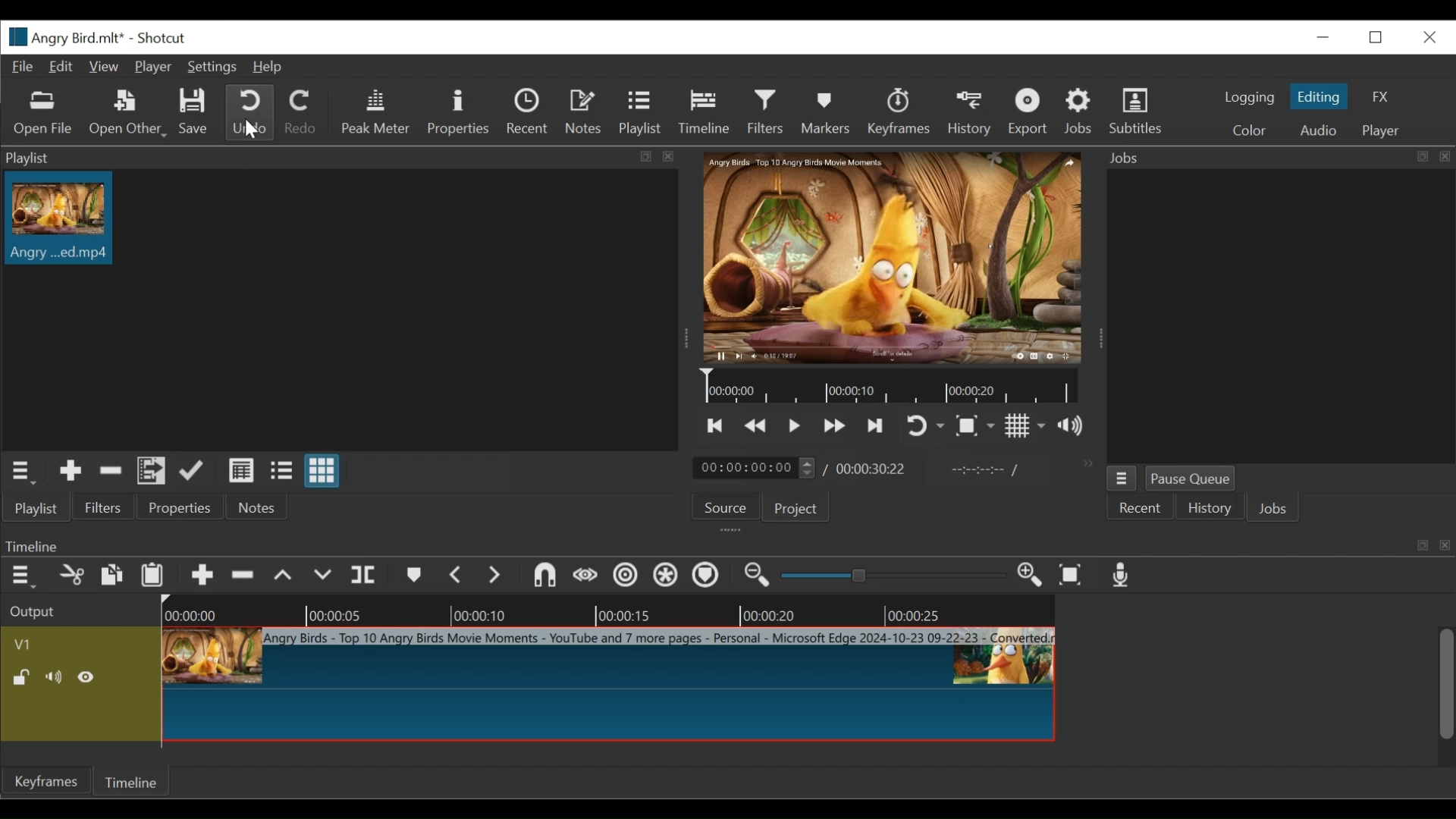 This screenshot has width=1456, height=819. Describe the element at coordinates (1078, 111) in the screenshot. I see `Jobs` at that location.